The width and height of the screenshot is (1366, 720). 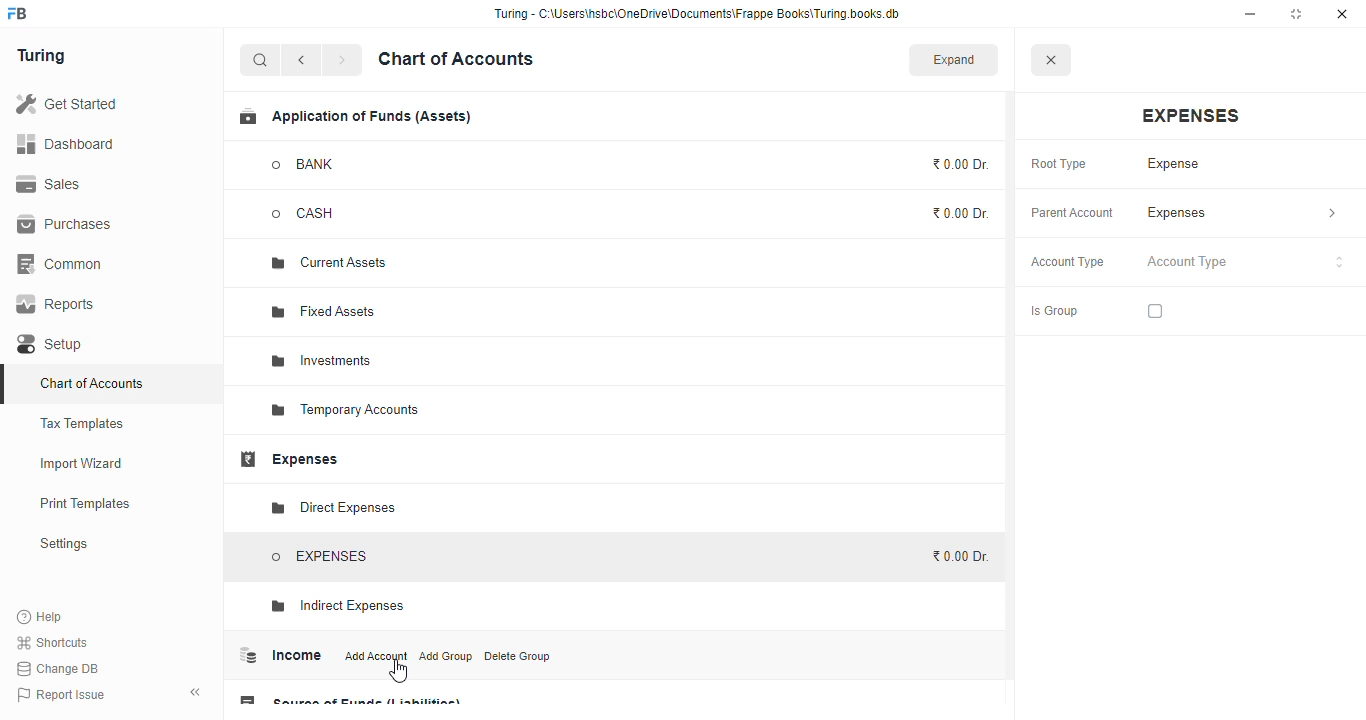 What do you see at coordinates (288, 459) in the screenshot?
I see `expenses` at bounding box center [288, 459].